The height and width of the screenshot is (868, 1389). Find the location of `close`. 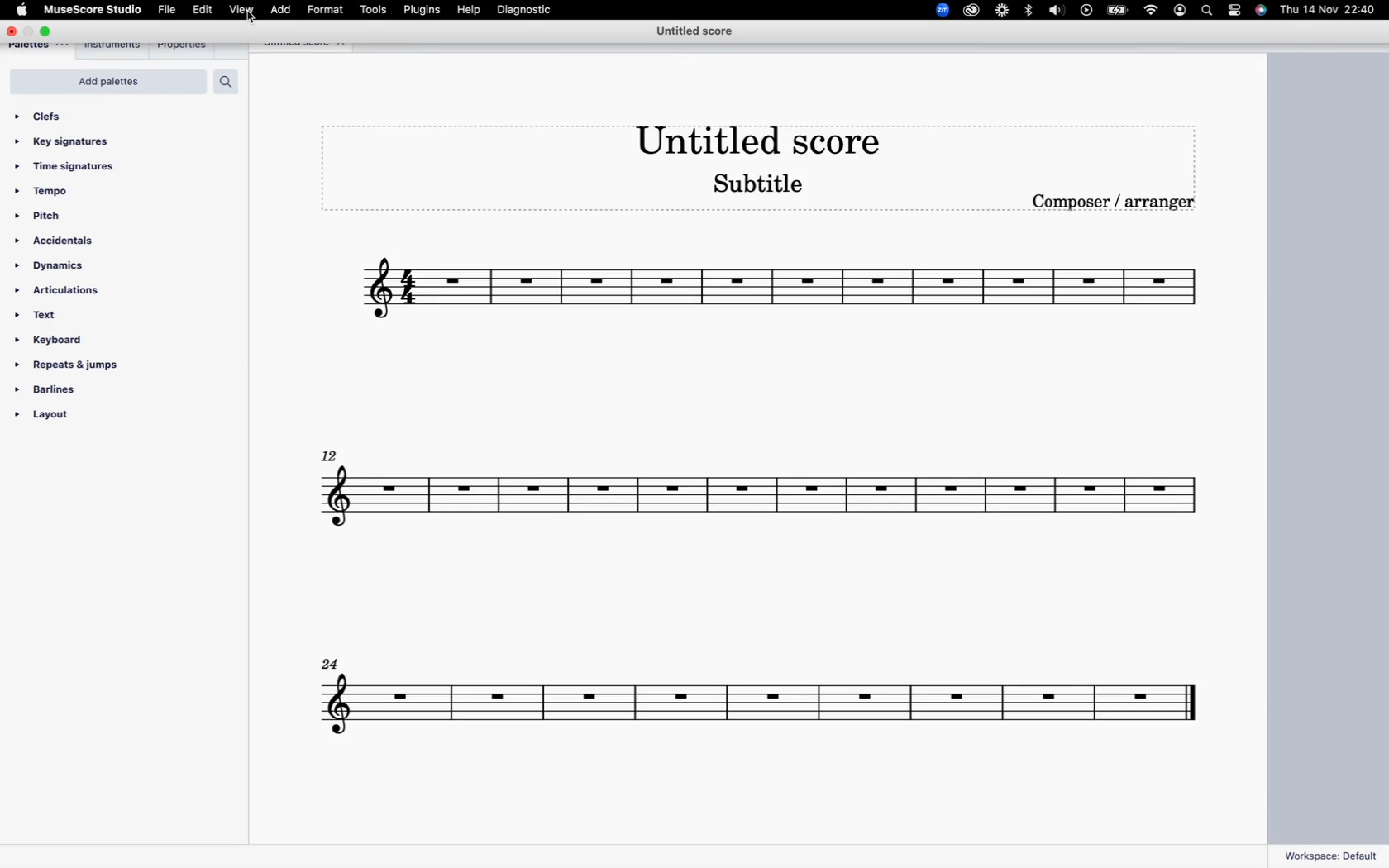

close is located at coordinates (346, 45).